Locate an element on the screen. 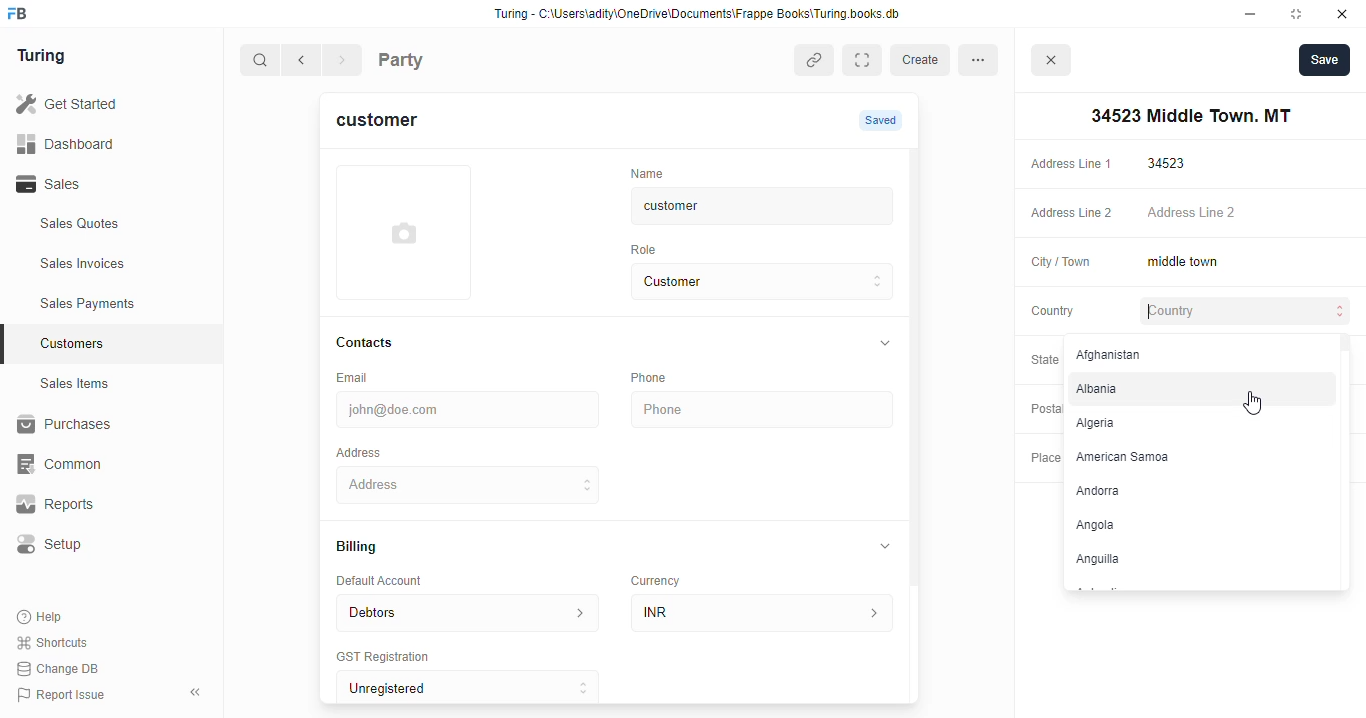 This screenshot has width=1366, height=718. City / Town is located at coordinates (1061, 264).